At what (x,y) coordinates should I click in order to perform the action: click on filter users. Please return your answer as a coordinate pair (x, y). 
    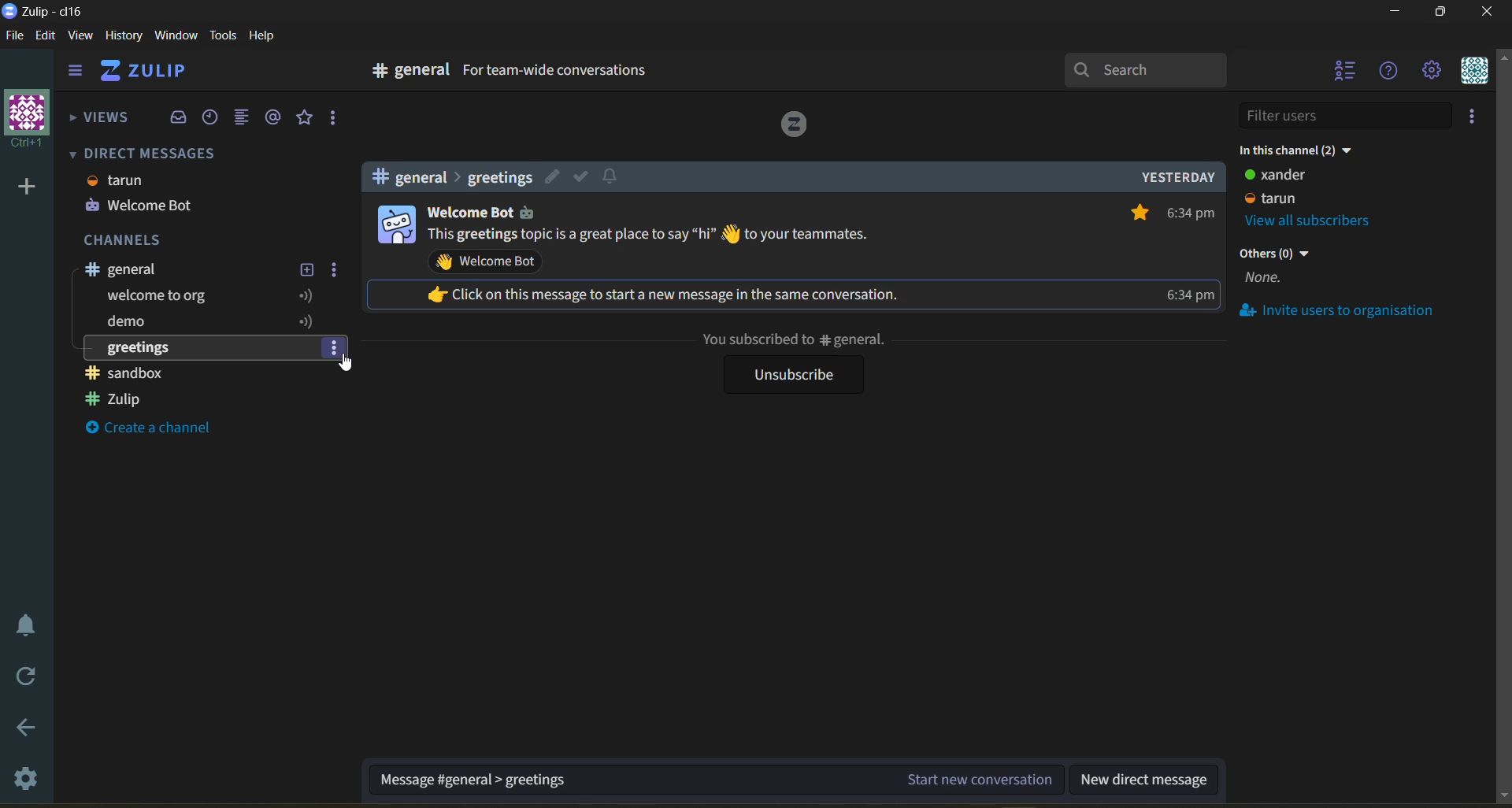
    Looking at the image, I should click on (1350, 116).